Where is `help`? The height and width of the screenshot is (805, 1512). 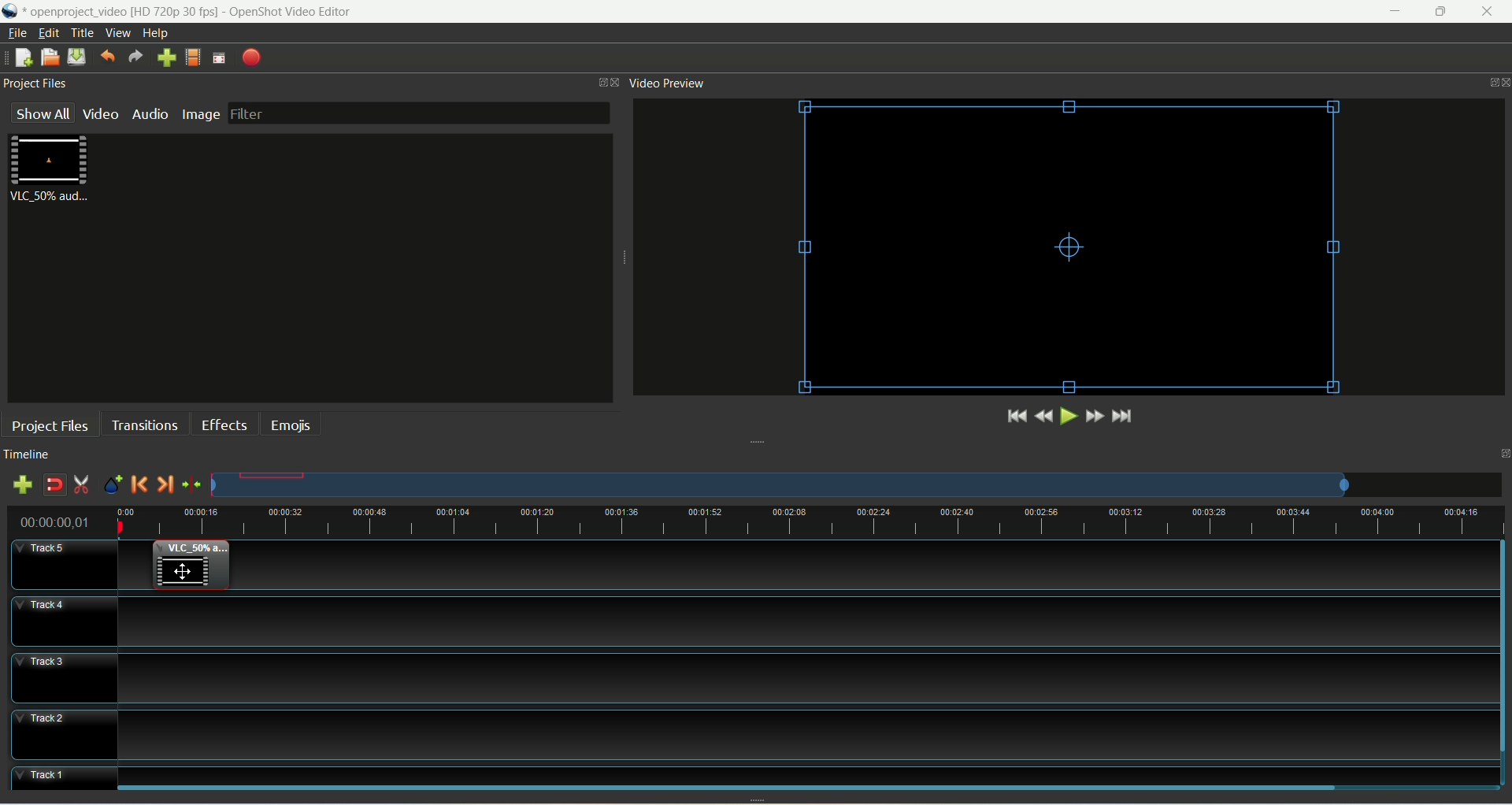
help is located at coordinates (157, 33).